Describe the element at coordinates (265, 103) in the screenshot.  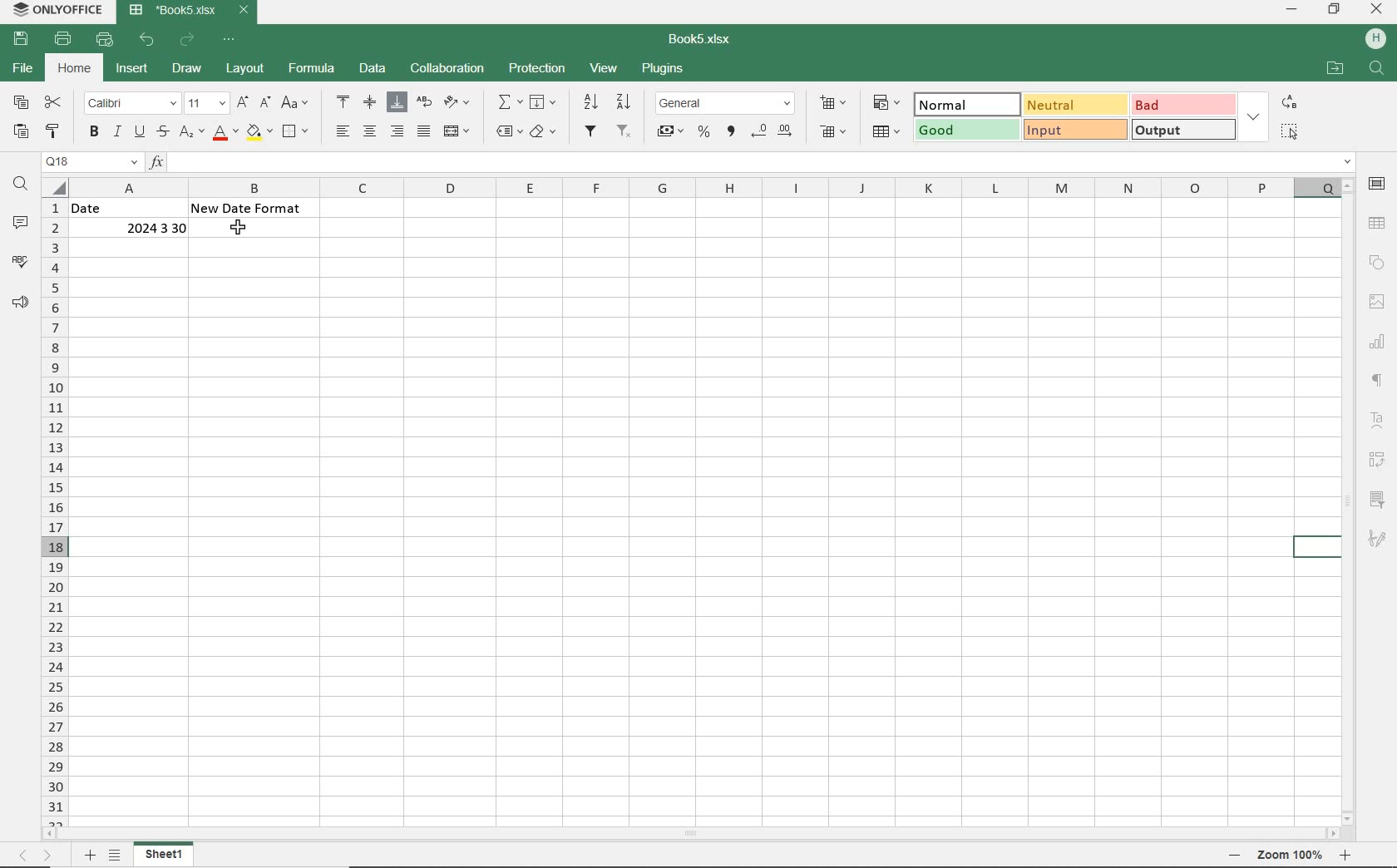
I see `DECREMENT FONT SIZE` at that location.